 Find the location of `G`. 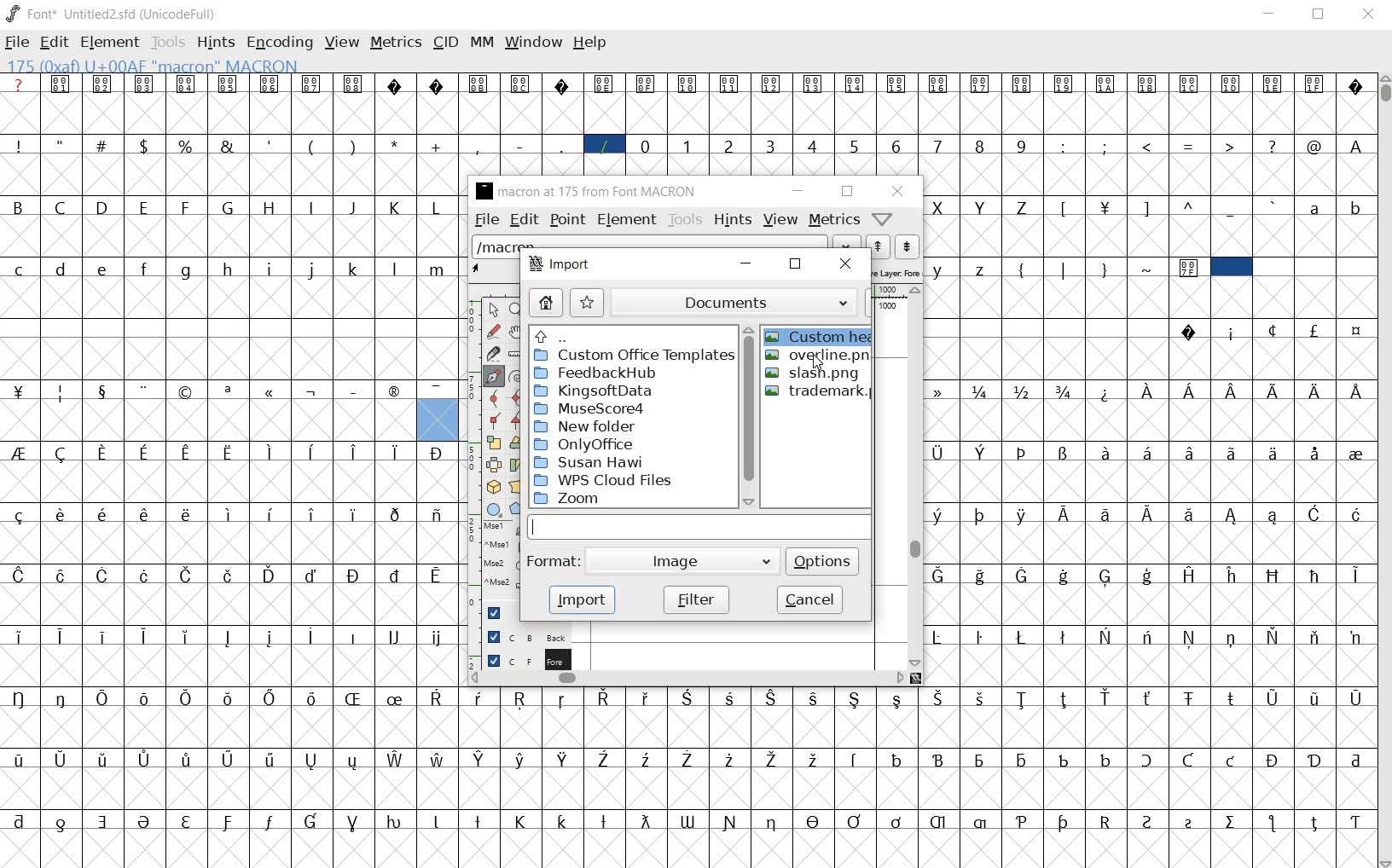

G is located at coordinates (230, 208).